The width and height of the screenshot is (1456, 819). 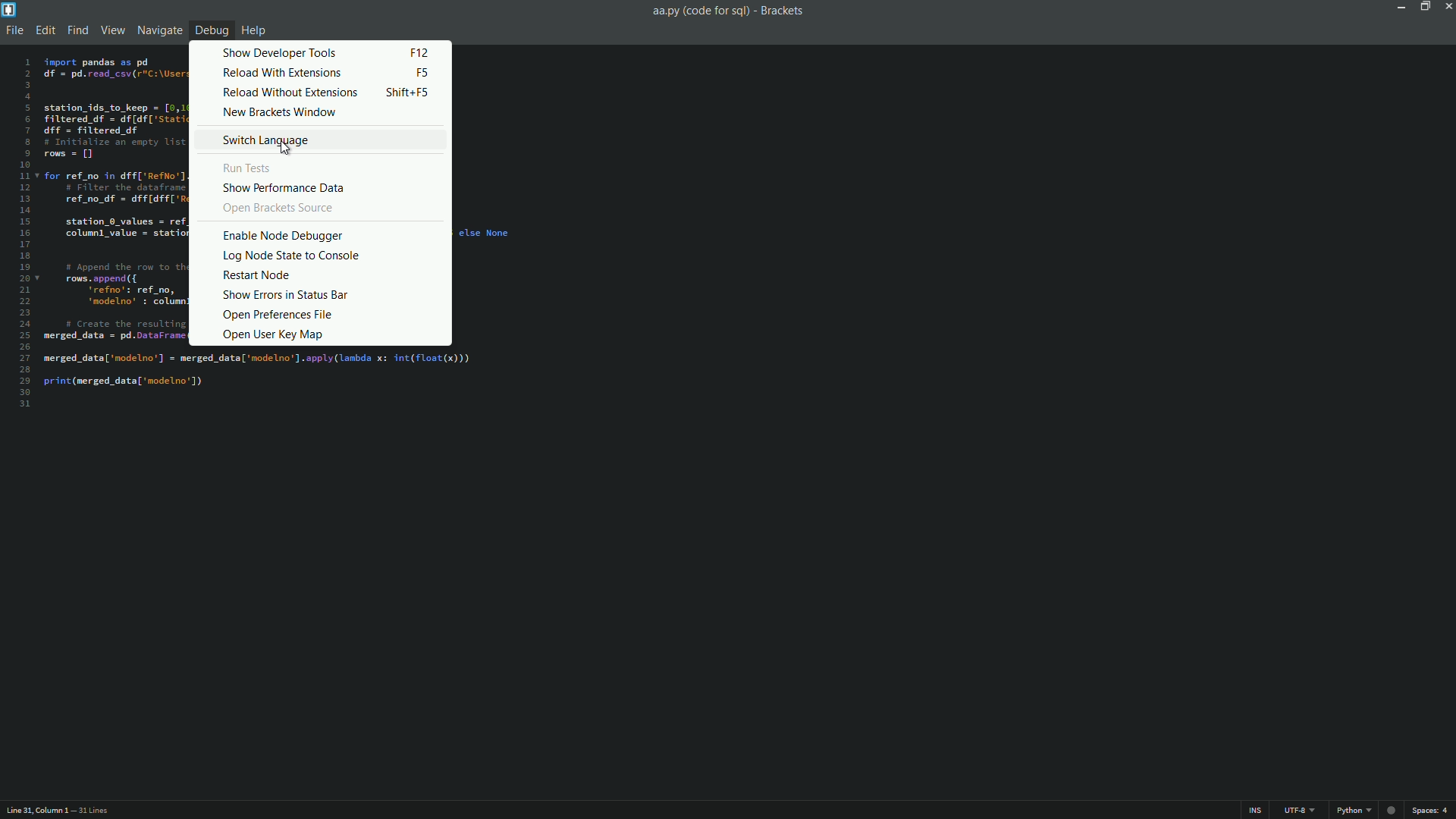 What do you see at coordinates (1422, 6) in the screenshot?
I see `maximize` at bounding box center [1422, 6].